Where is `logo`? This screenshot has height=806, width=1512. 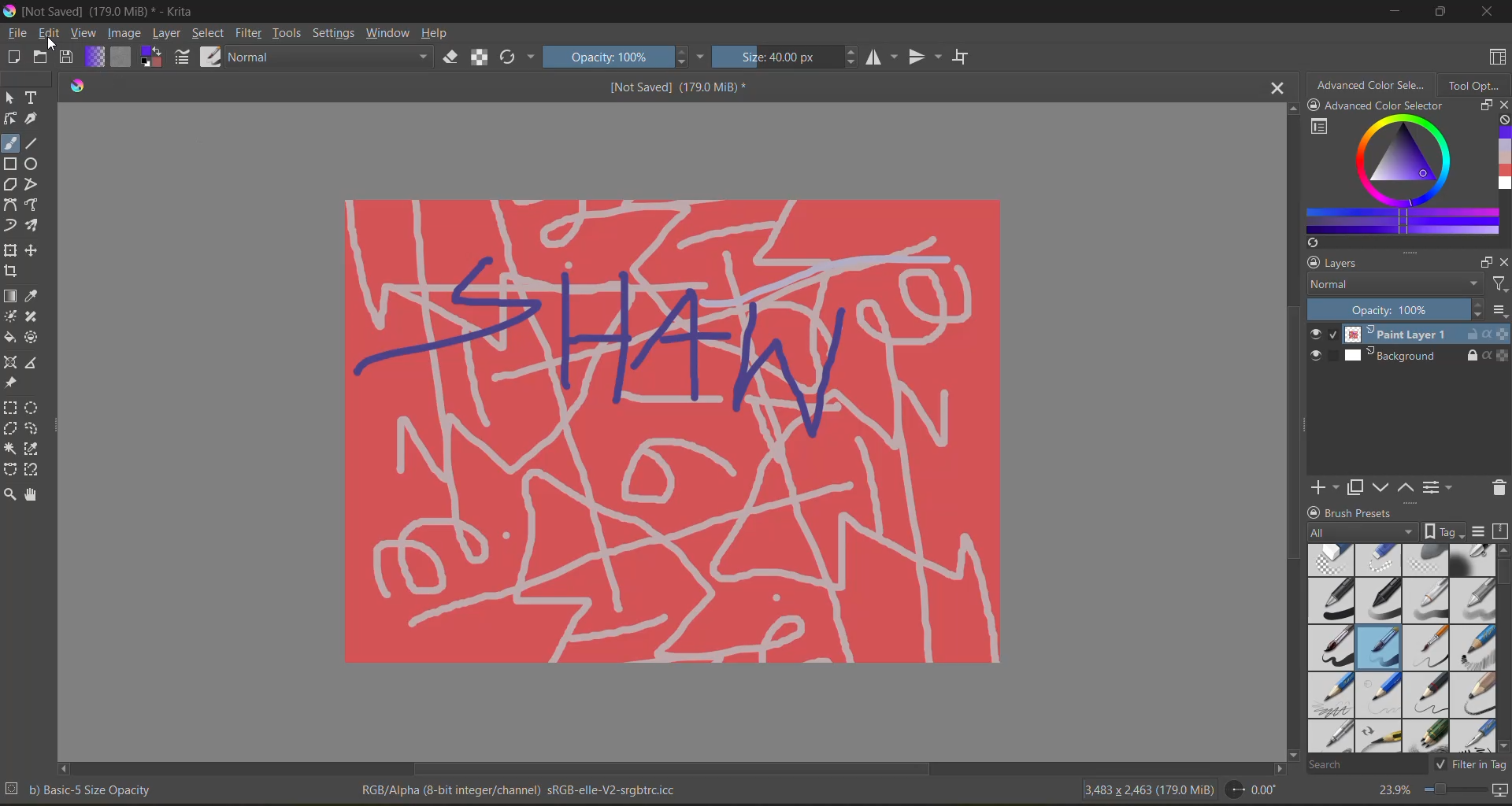 logo is located at coordinates (80, 87).